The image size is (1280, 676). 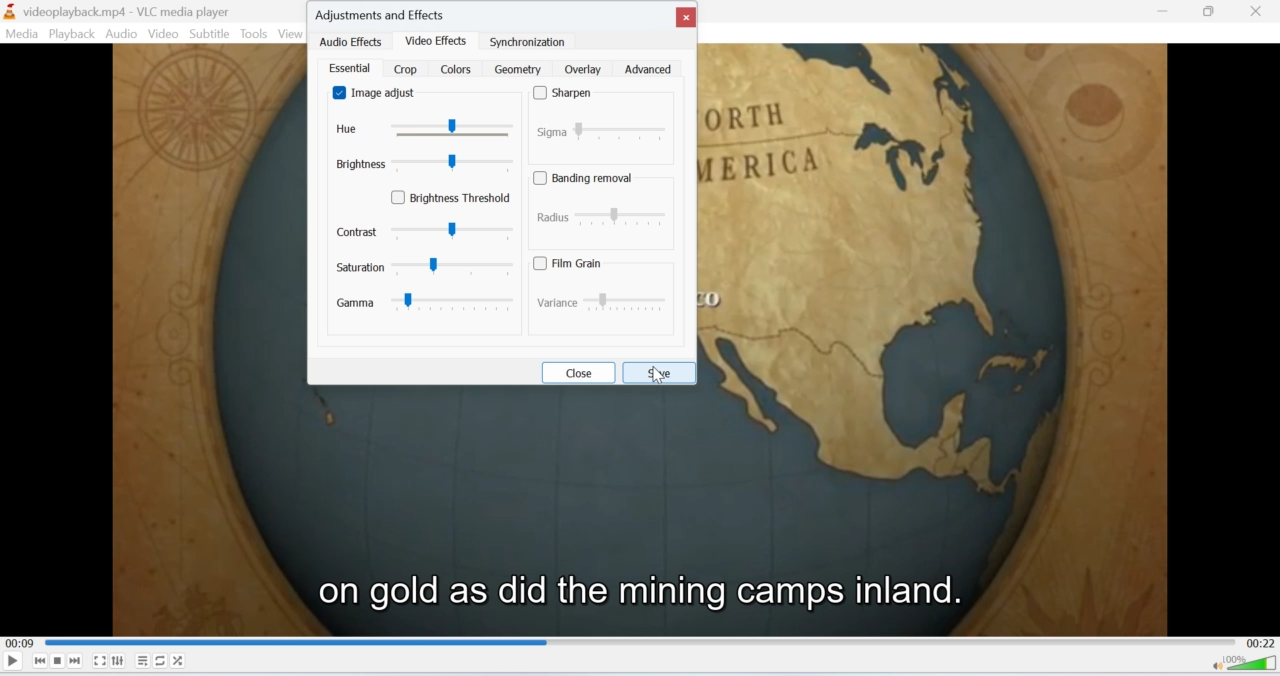 What do you see at coordinates (1211, 12) in the screenshot?
I see `Minimise` at bounding box center [1211, 12].